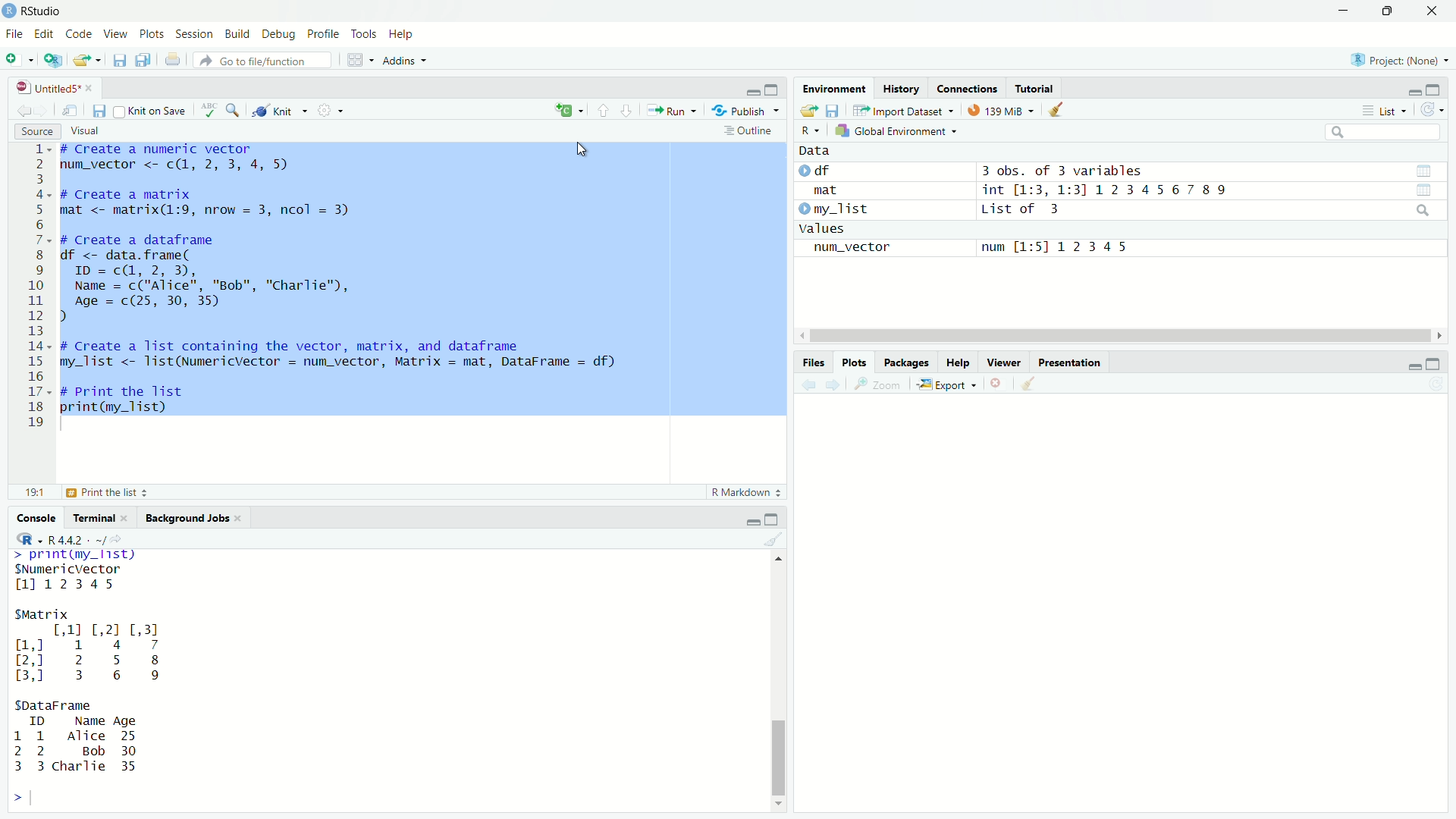 The height and width of the screenshot is (819, 1456). What do you see at coordinates (747, 111) in the screenshot?
I see `Publish ~` at bounding box center [747, 111].